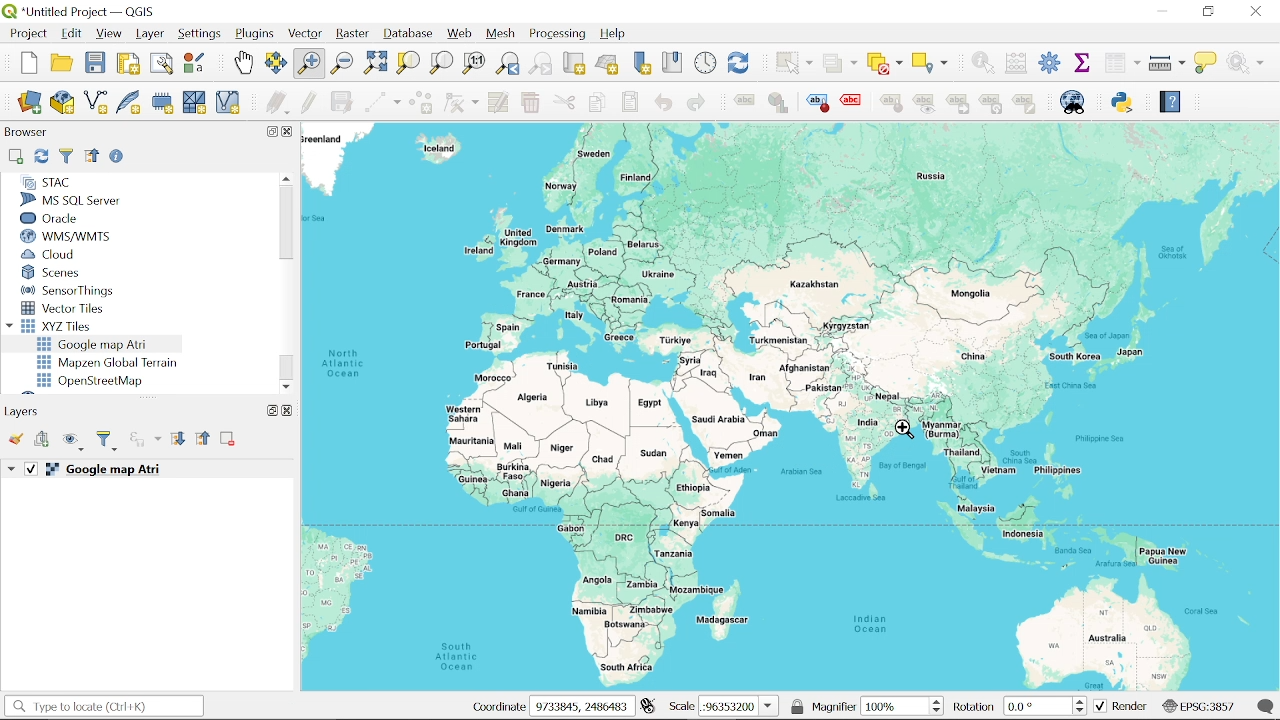  I want to click on Current CRS, so click(1198, 705).